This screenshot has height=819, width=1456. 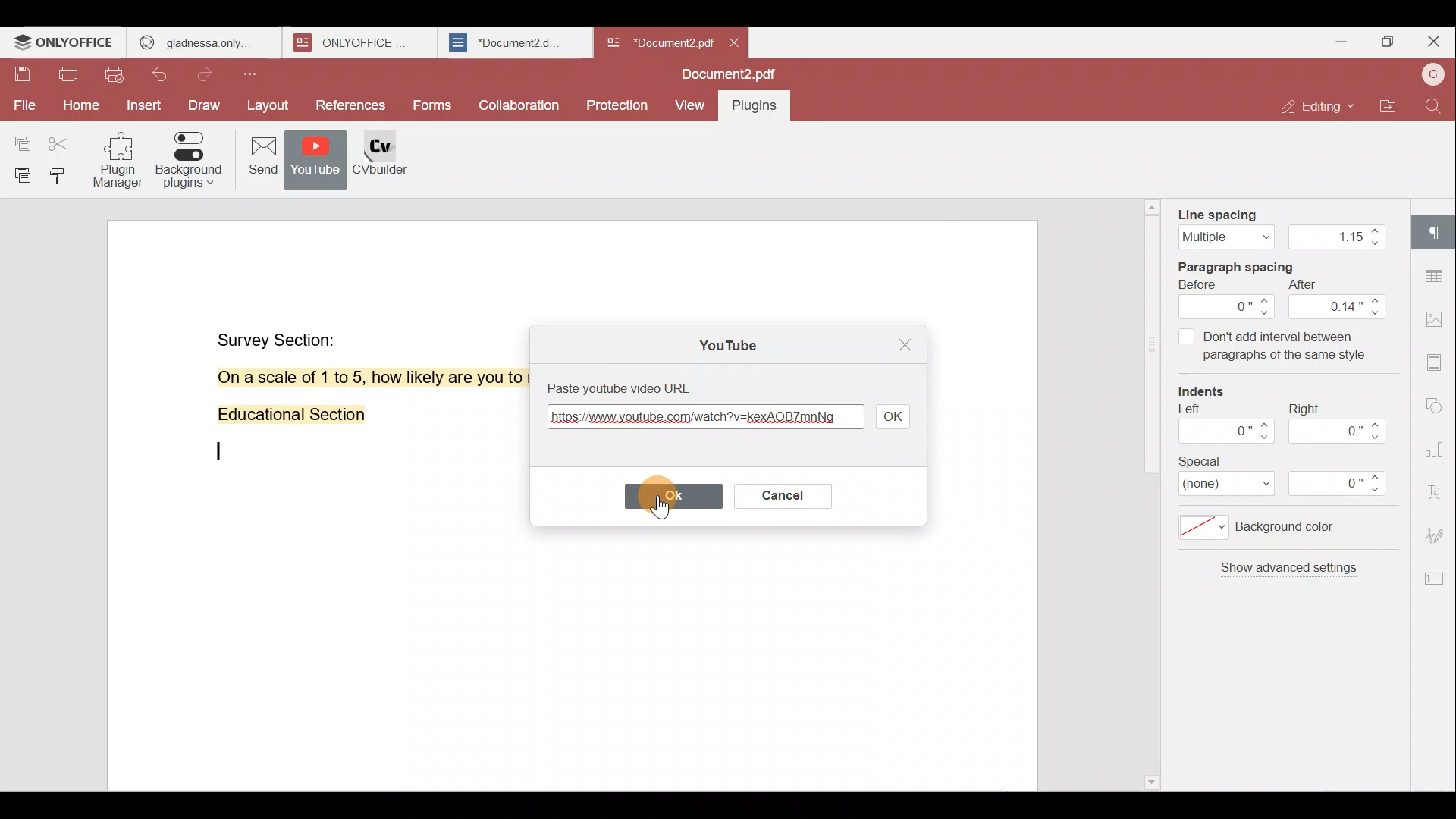 What do you see at coordinates (1228, 300) in the screenshot?
I see `Before` at bounding box center [1228, 300].